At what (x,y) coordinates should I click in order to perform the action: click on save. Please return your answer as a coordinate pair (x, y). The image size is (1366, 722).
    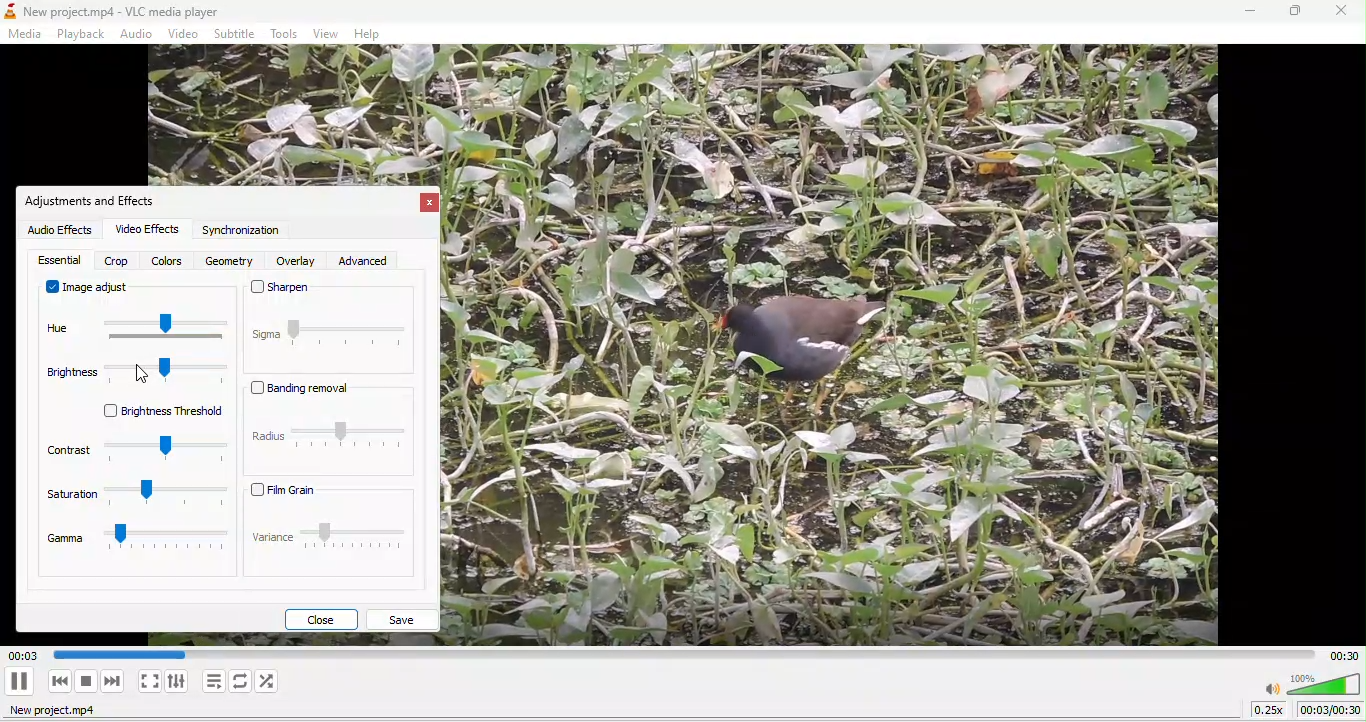
    Looking at the image, I should click on (407, 620).